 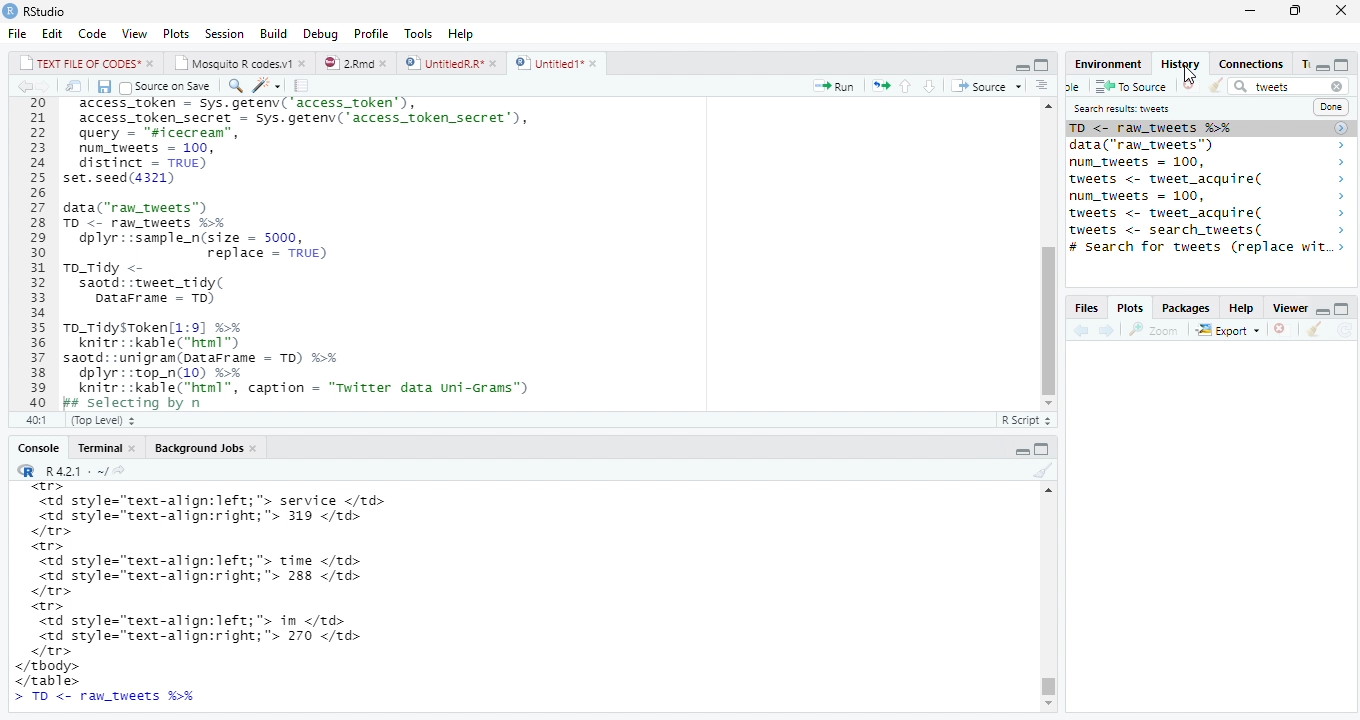 What do you see at coordinates (223, 33) in the screenshot?
I see `Session` at bounding box center [223, 33].